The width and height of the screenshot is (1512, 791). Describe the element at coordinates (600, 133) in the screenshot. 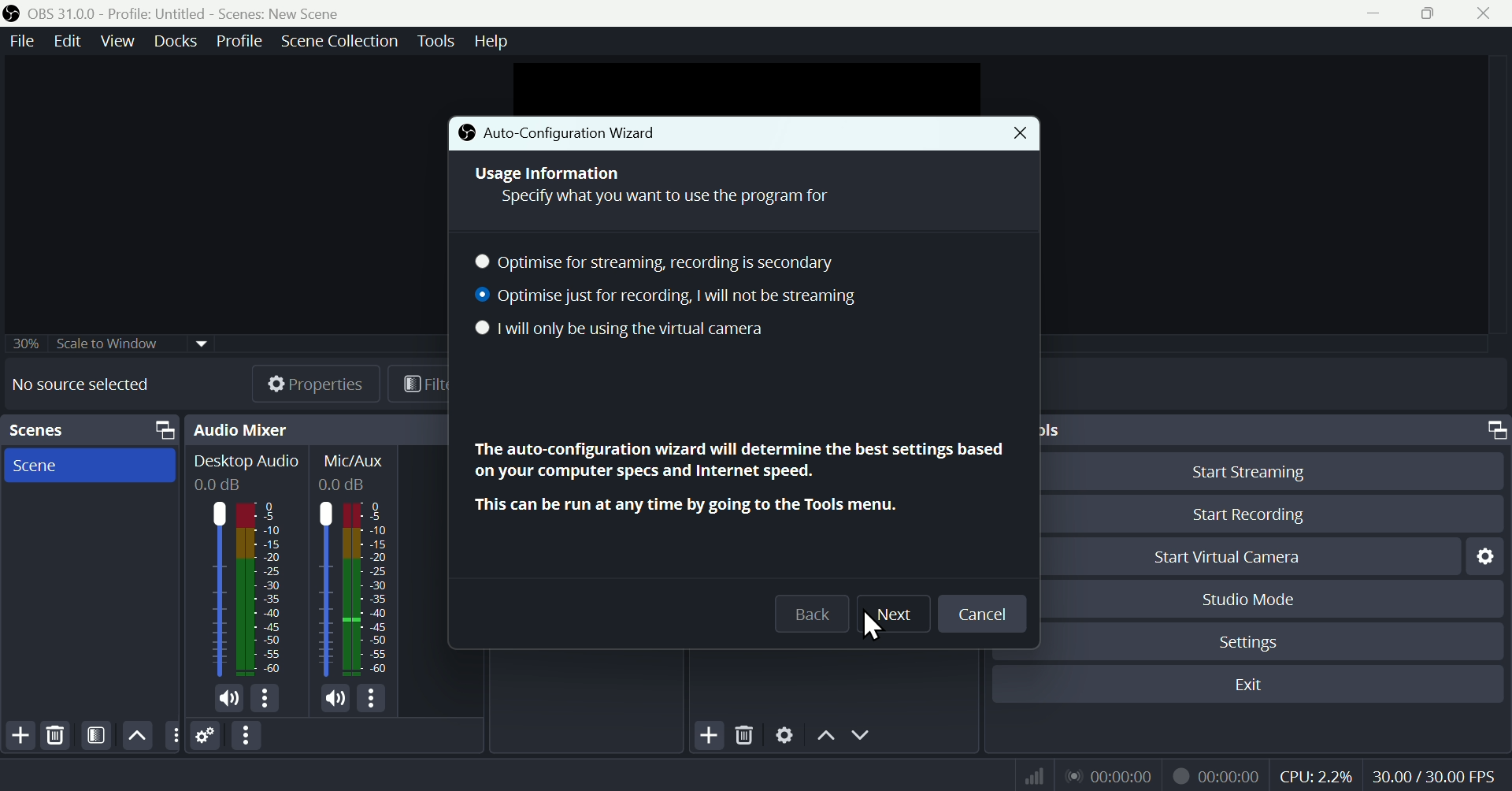

I see `Auto-Configuration Wizard` at that location.